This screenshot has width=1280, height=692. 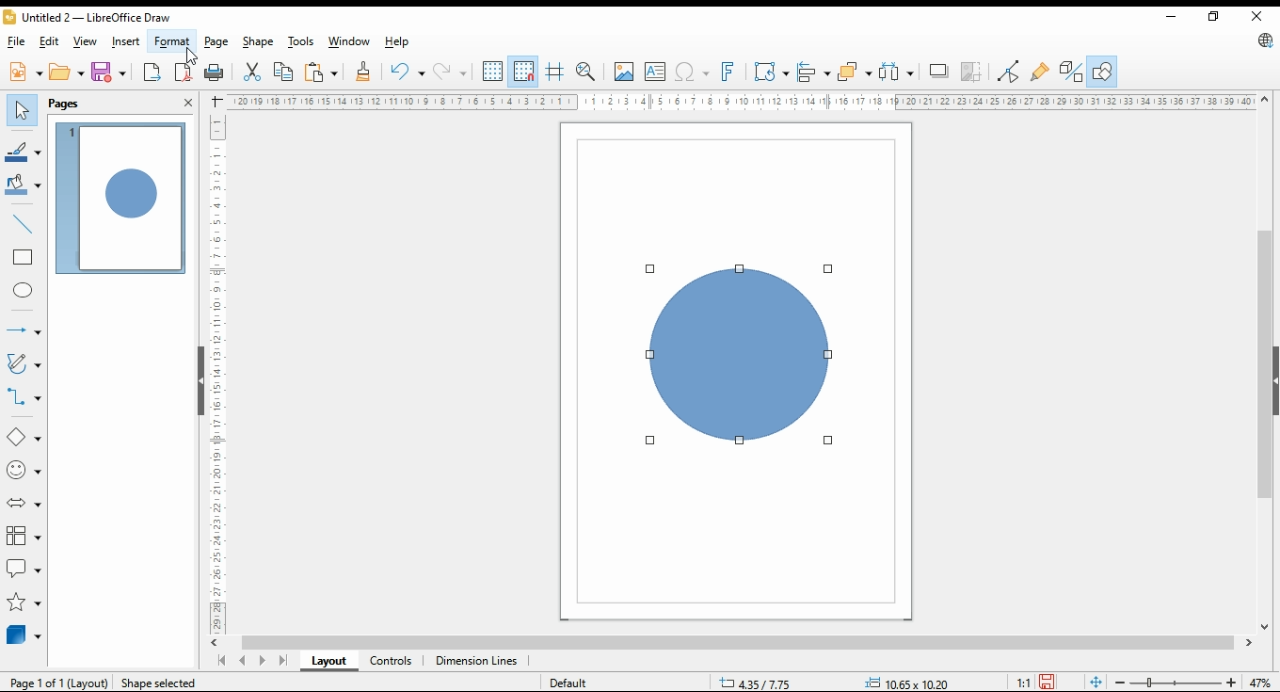 I want to click on 1:1, so click(x=1023, y=681).